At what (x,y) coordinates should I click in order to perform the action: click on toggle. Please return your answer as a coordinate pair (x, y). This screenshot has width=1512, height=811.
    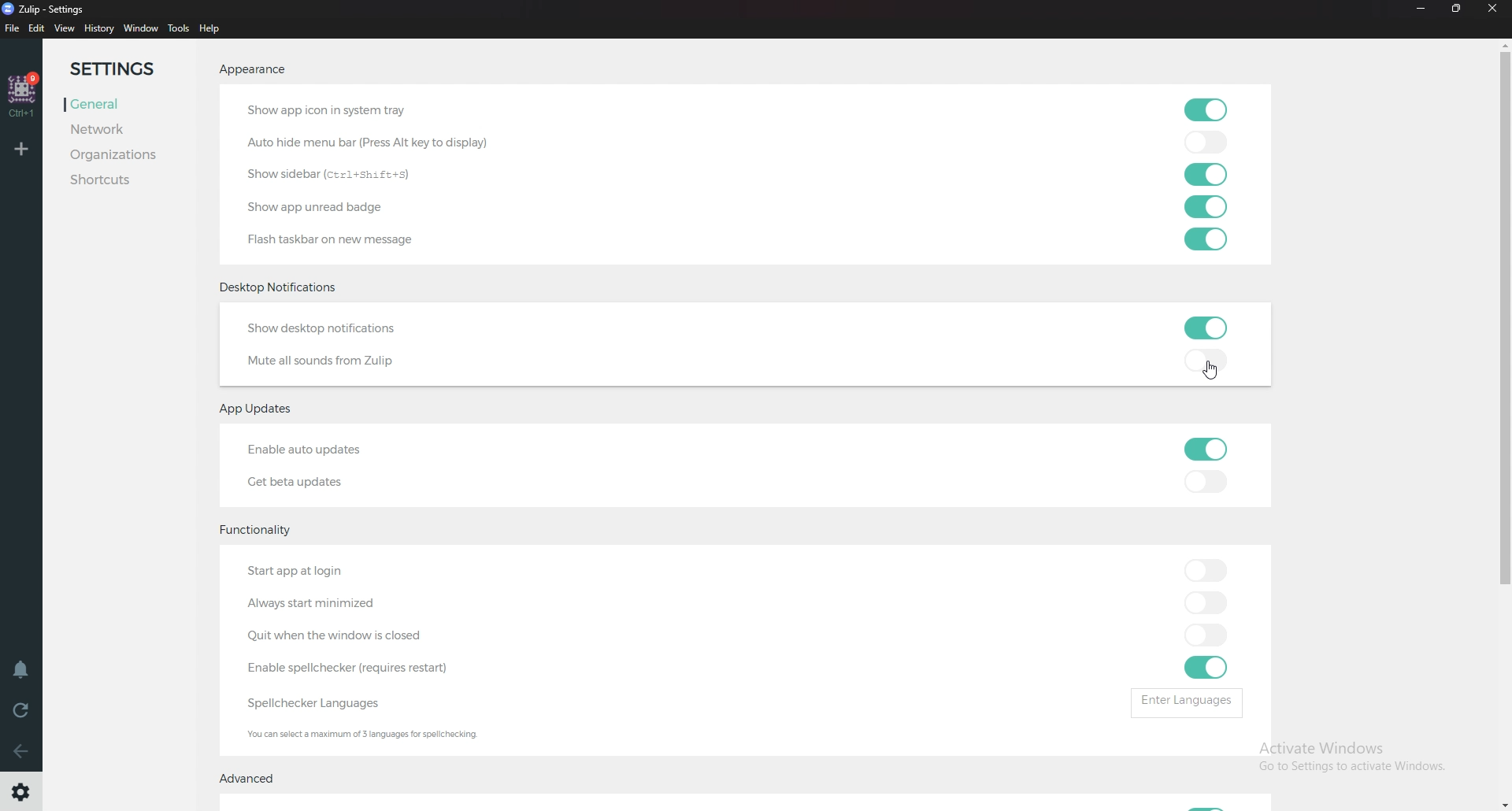
    Looking at the image, I should click on (1206, 569).